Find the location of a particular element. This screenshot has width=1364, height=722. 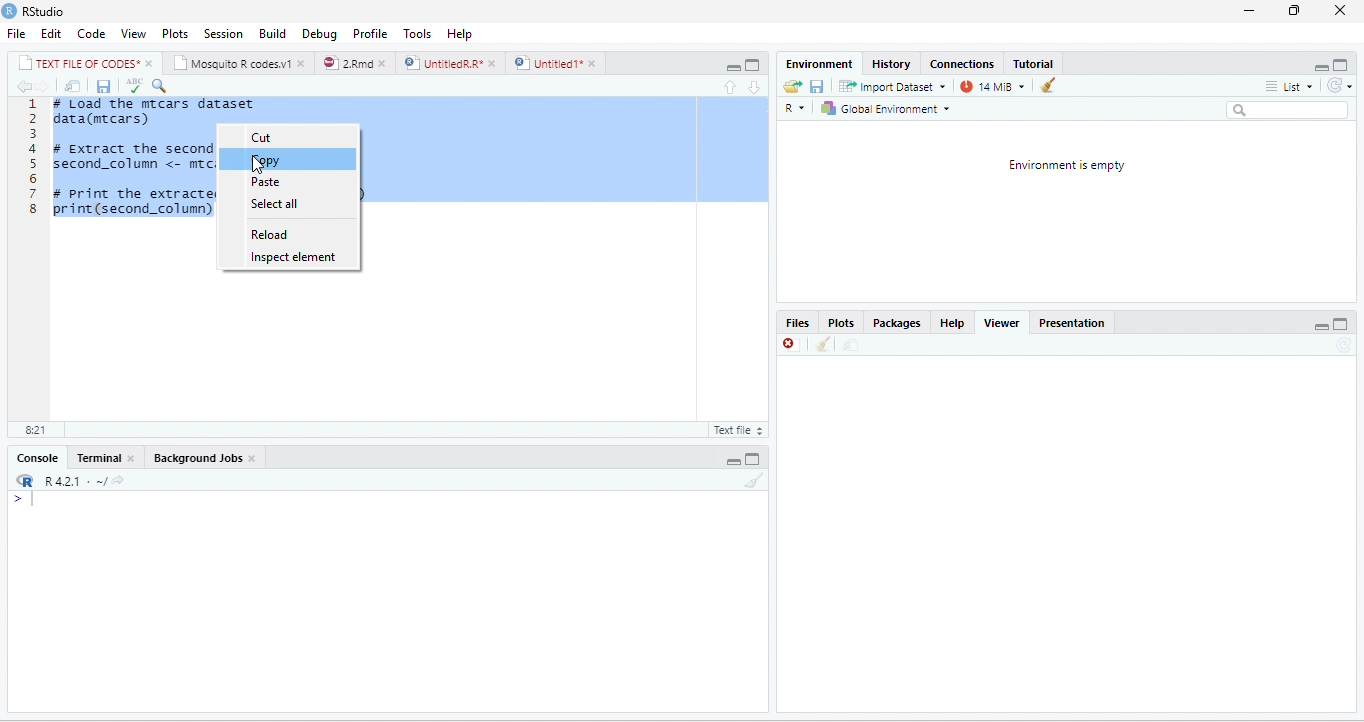

close is located at coordinates (254, 458).